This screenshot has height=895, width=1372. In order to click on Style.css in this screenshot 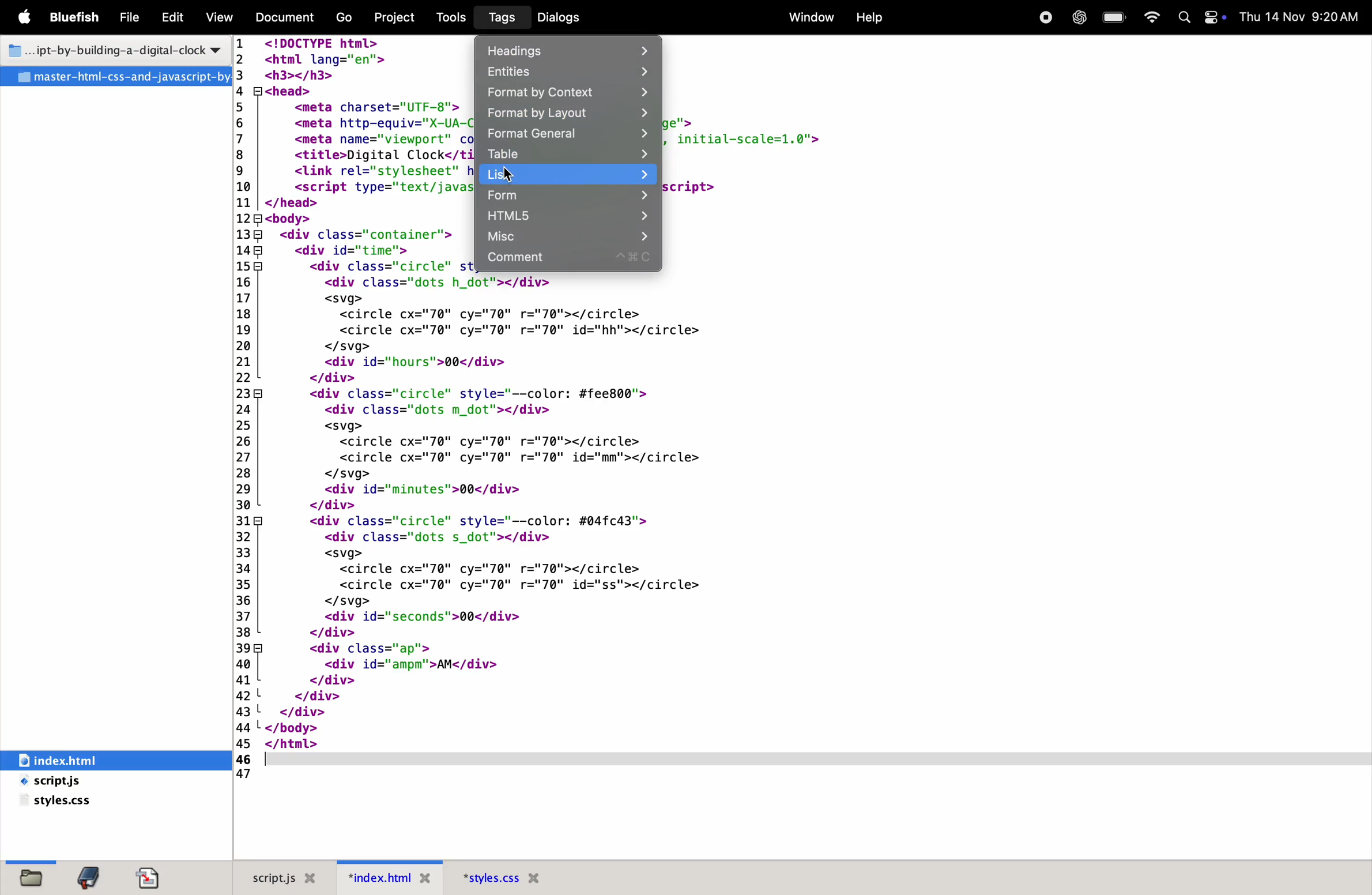, I will do `click(523, 877)`.